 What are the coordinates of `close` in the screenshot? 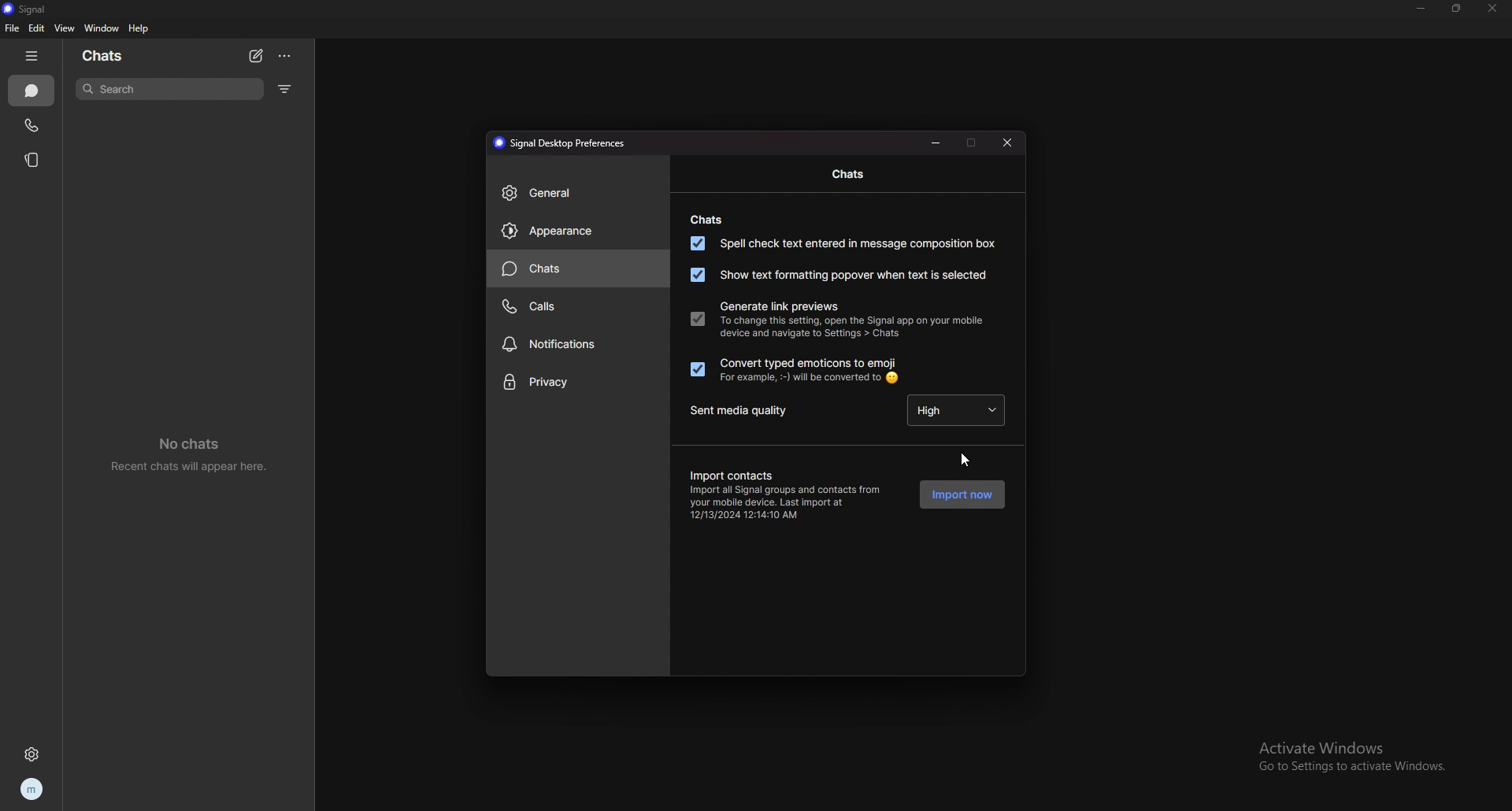 It's located at (1009, 142).